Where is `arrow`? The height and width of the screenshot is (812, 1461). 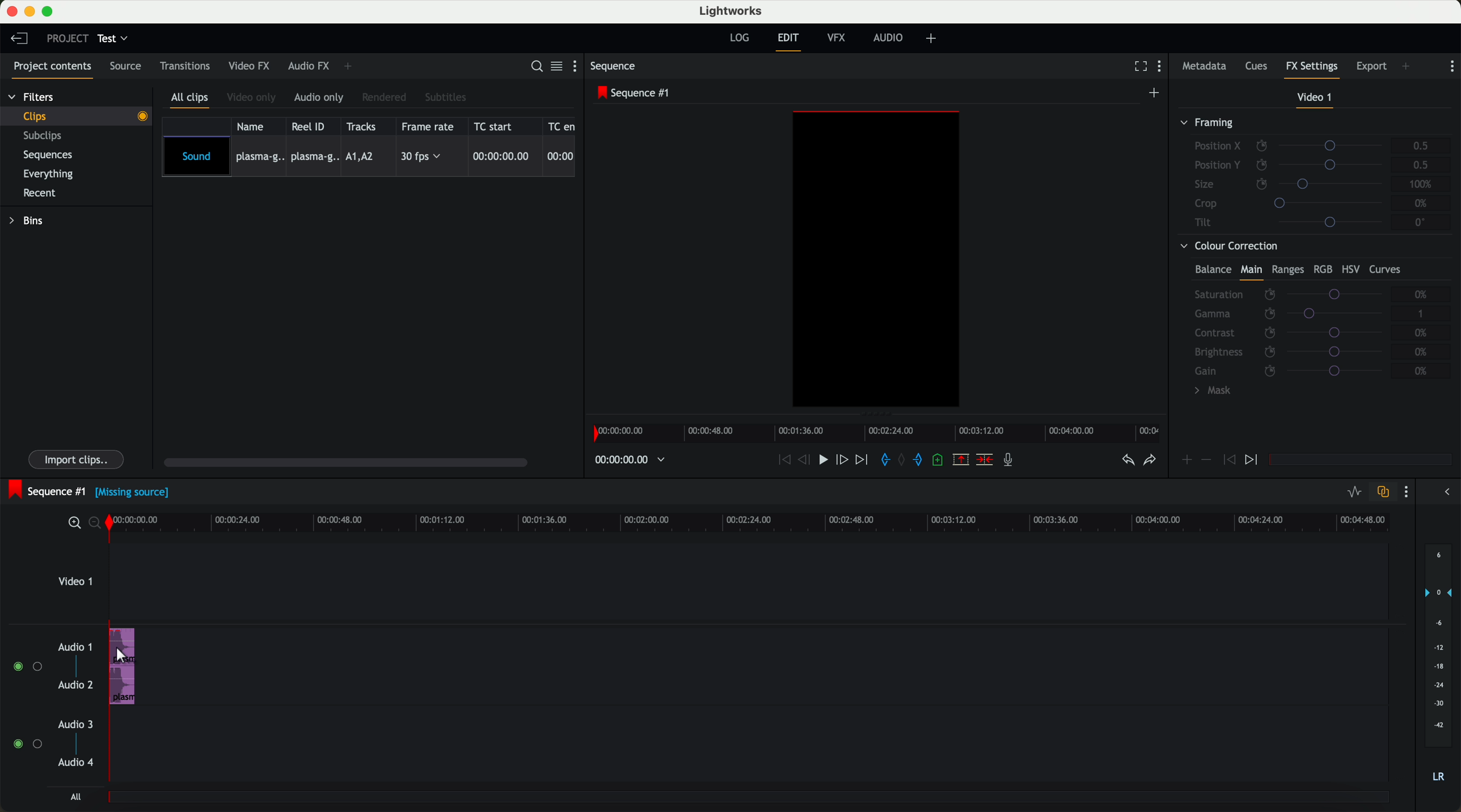 arrow is located at coordinates (1443, 493).